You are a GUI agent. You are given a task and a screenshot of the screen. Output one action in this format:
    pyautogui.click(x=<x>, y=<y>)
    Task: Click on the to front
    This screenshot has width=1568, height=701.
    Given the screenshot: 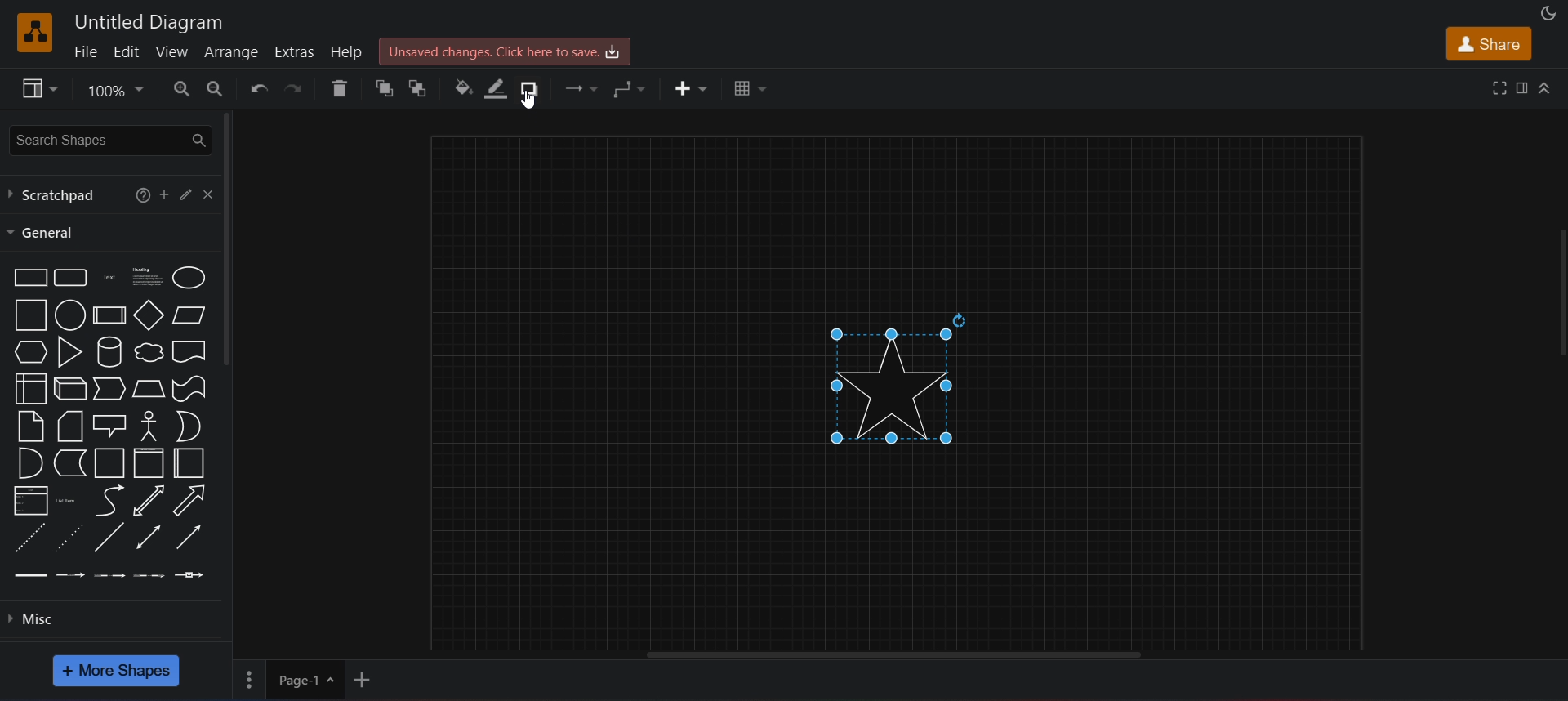 What is the action you would take?
    pyautogui.click(x=382, y=89)
    